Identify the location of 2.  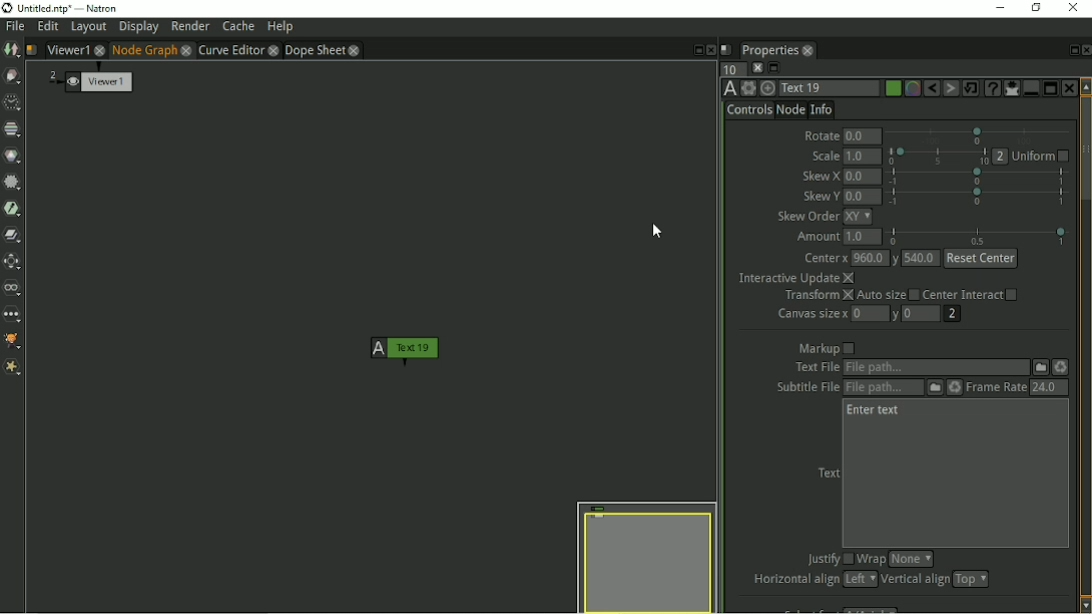
(52, 75).